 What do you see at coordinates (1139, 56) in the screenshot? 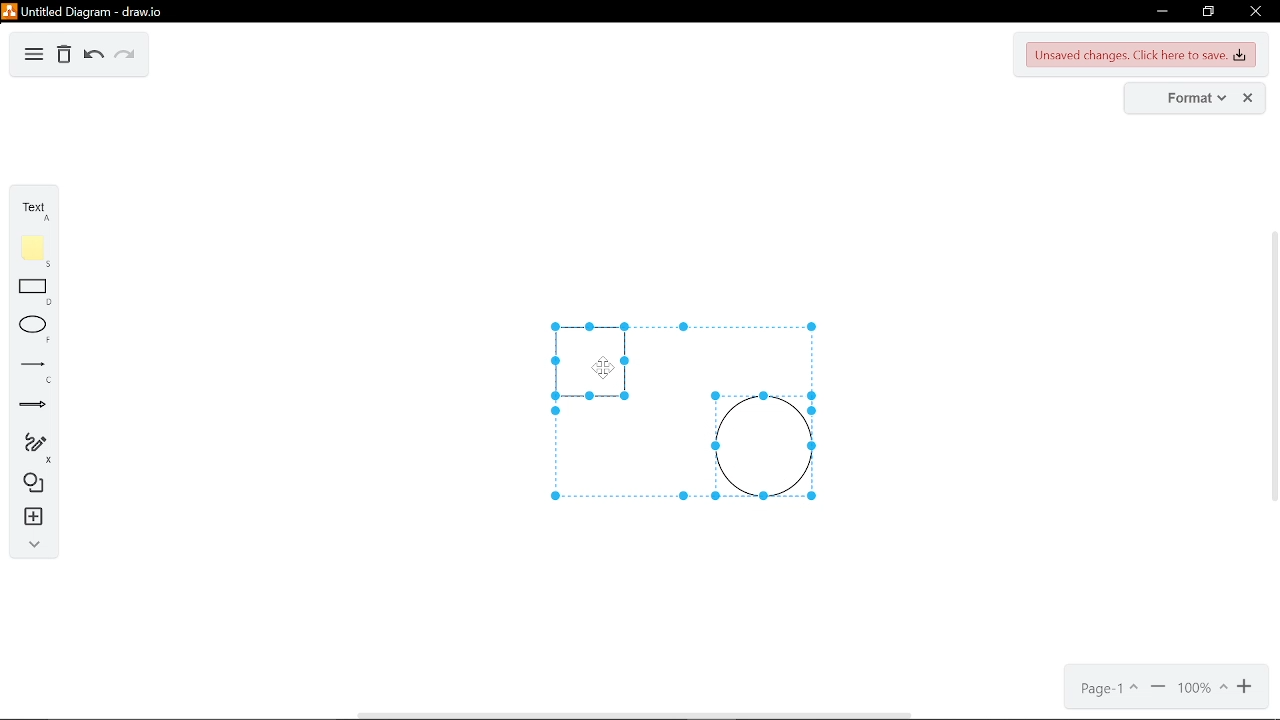
I see `unsaved changes. Click here to save` at bounding box center [1139, 56].